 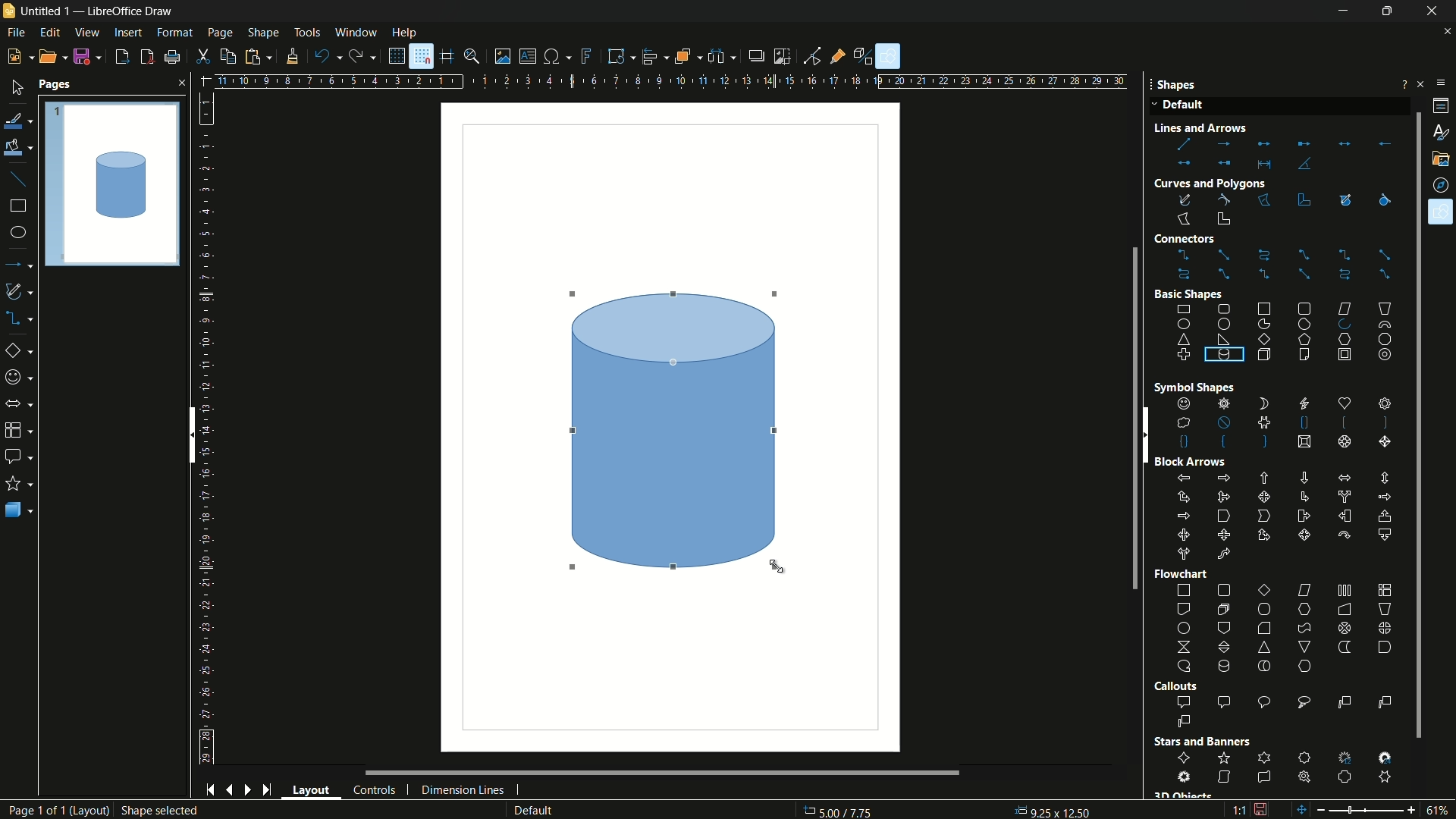 What do you see at coordinates (1282, 424) in the screenshot?
I see `shapes` at bounding box center [1282, 424].